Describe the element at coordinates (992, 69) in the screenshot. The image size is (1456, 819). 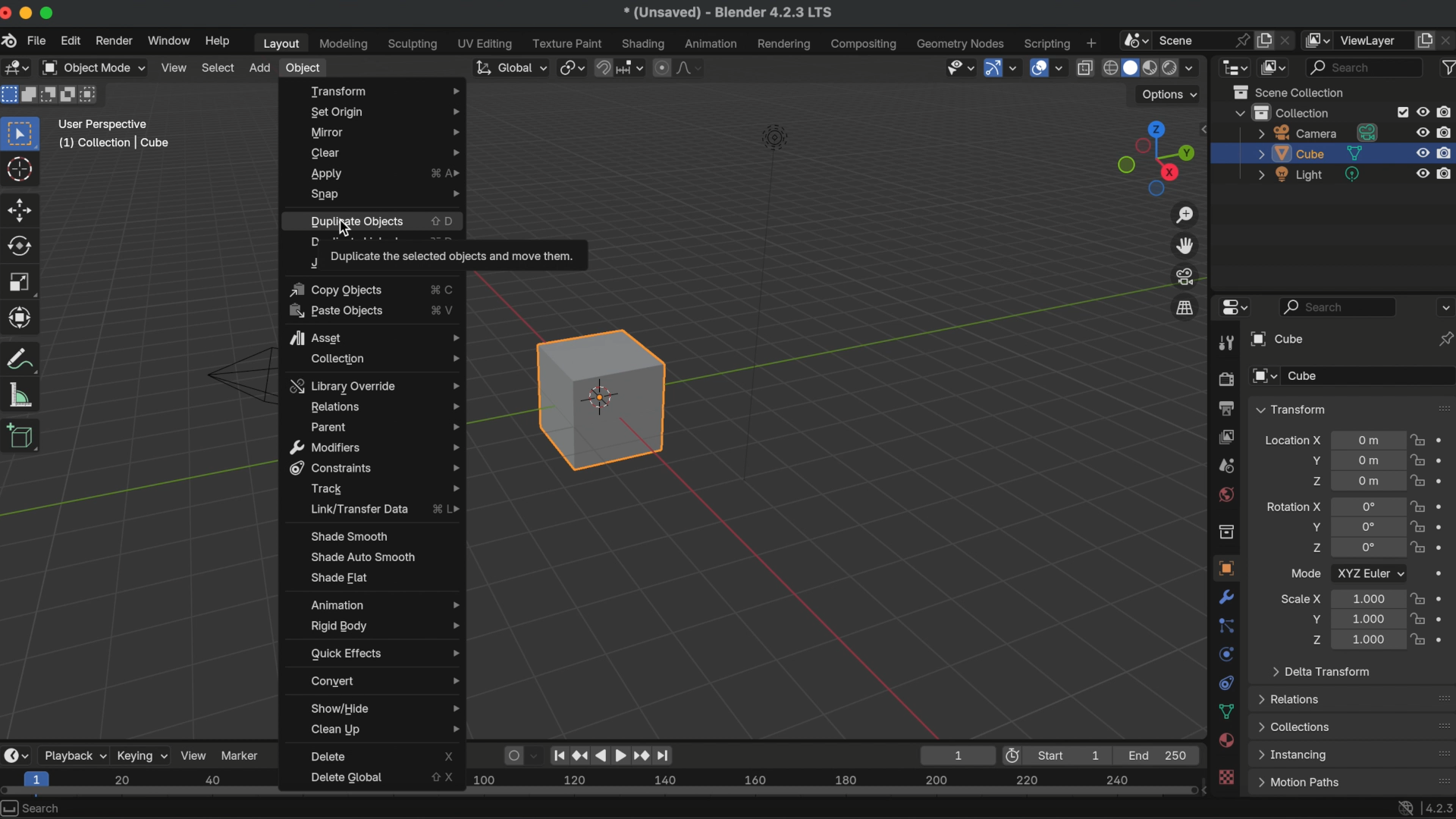
I see `show gizmo` at that location.